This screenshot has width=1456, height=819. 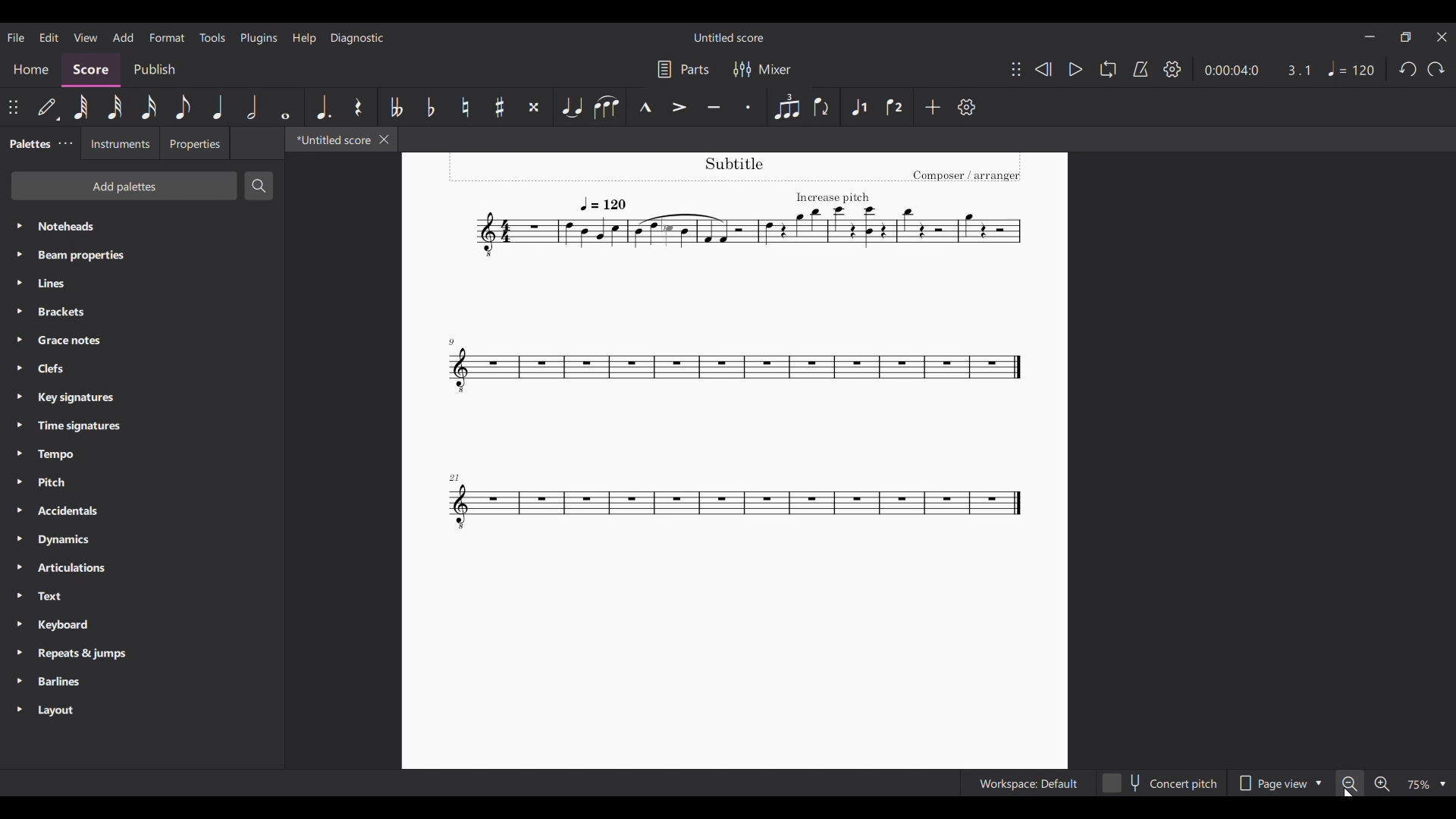 What do you see at coordinates (142, 682) in the screenshot?
I see `Barlines` at bounding box center [142, 682].